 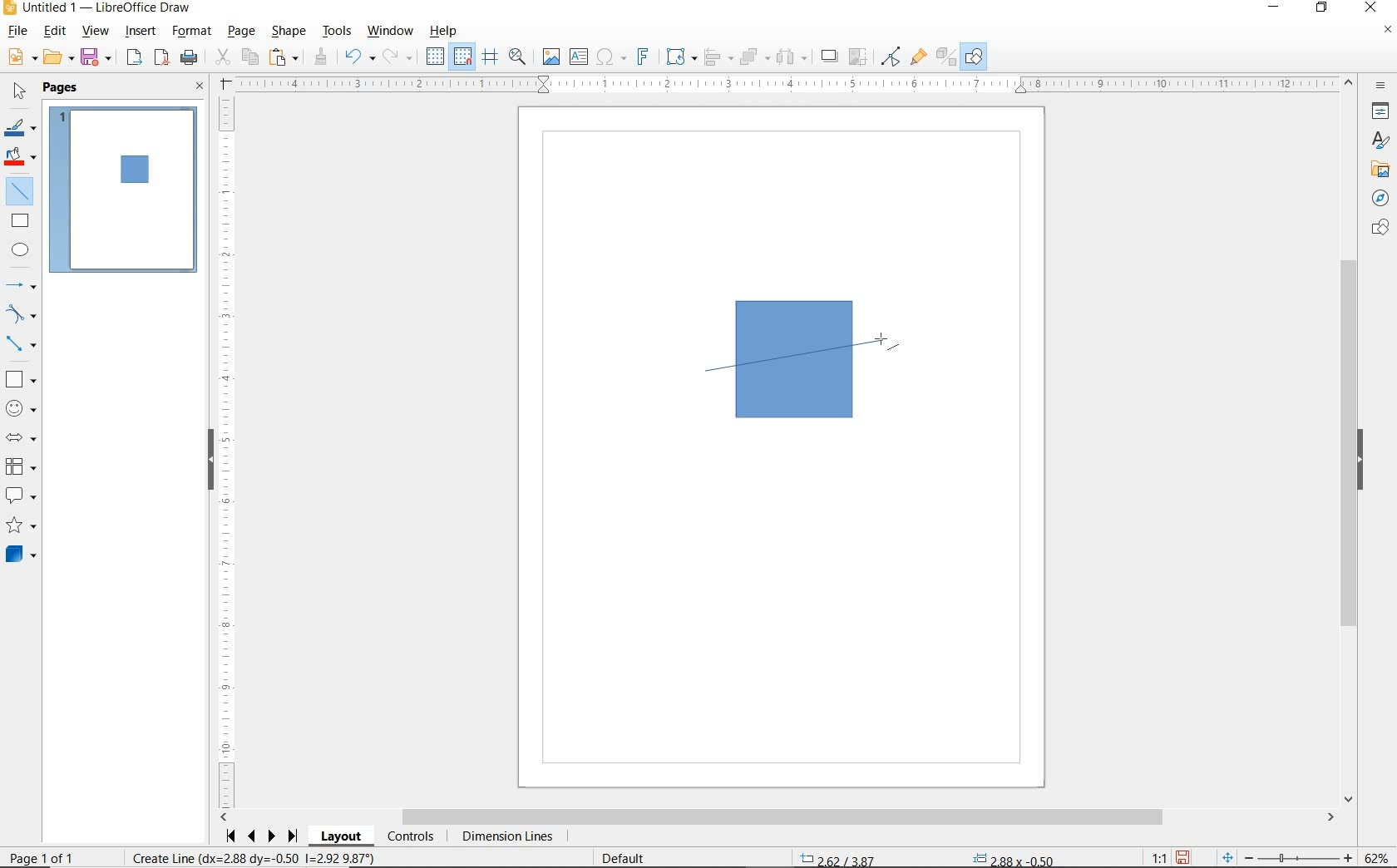 I want to click on SHADOW, so click(x=830, y=57).